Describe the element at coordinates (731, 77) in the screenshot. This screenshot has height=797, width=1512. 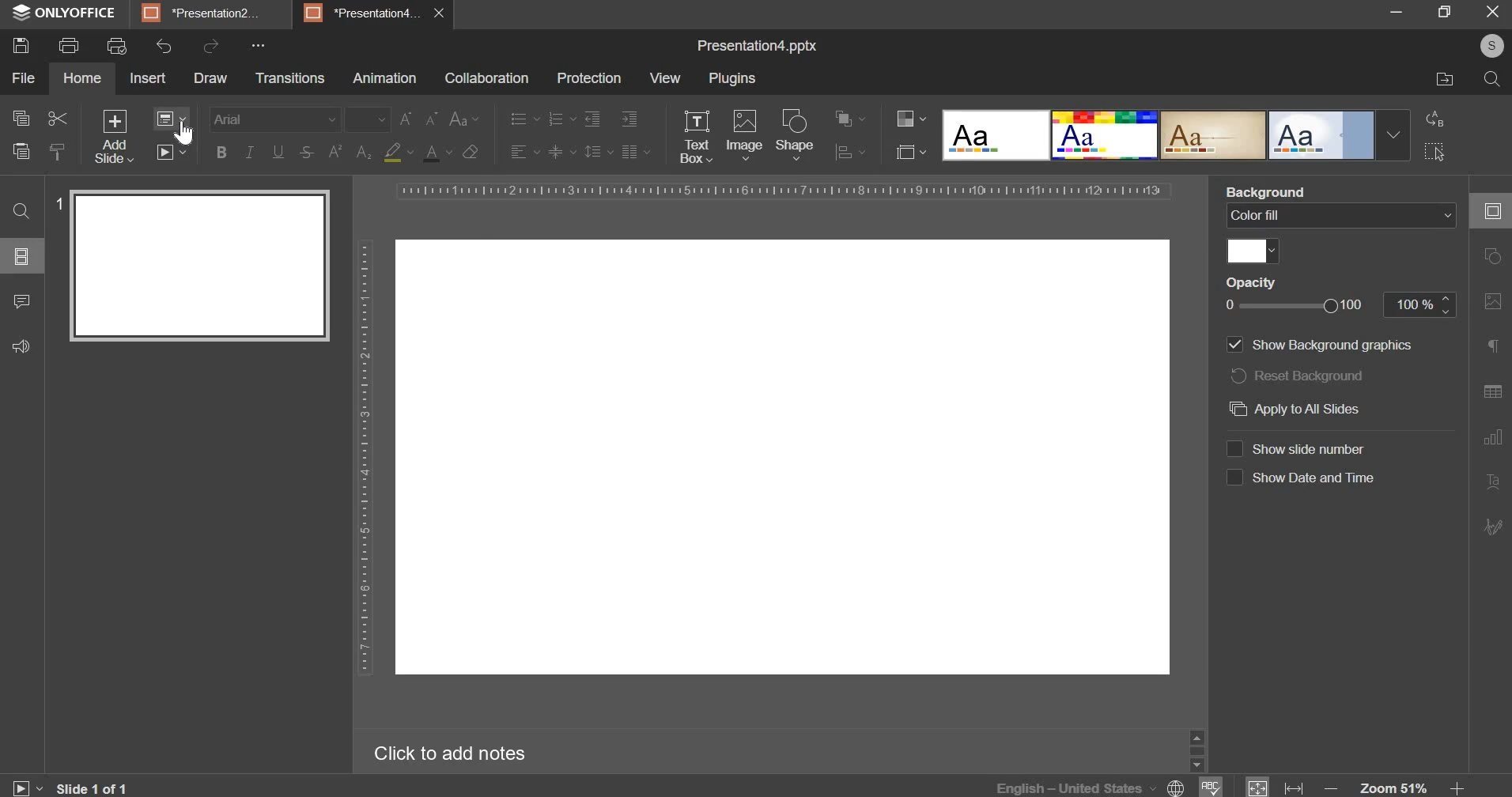
I see `plugins` at that location.